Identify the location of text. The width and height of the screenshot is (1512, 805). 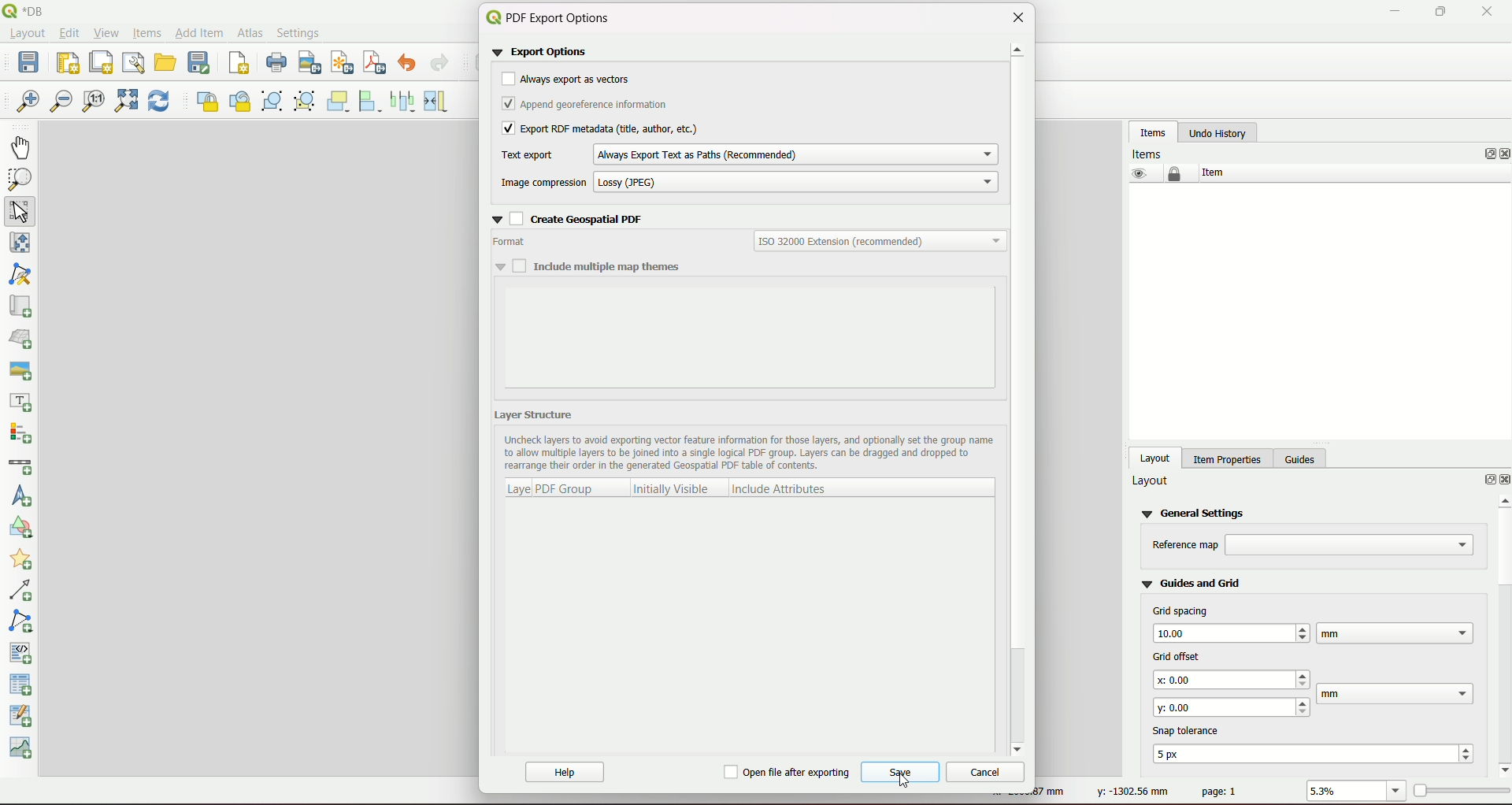
(510, 242).